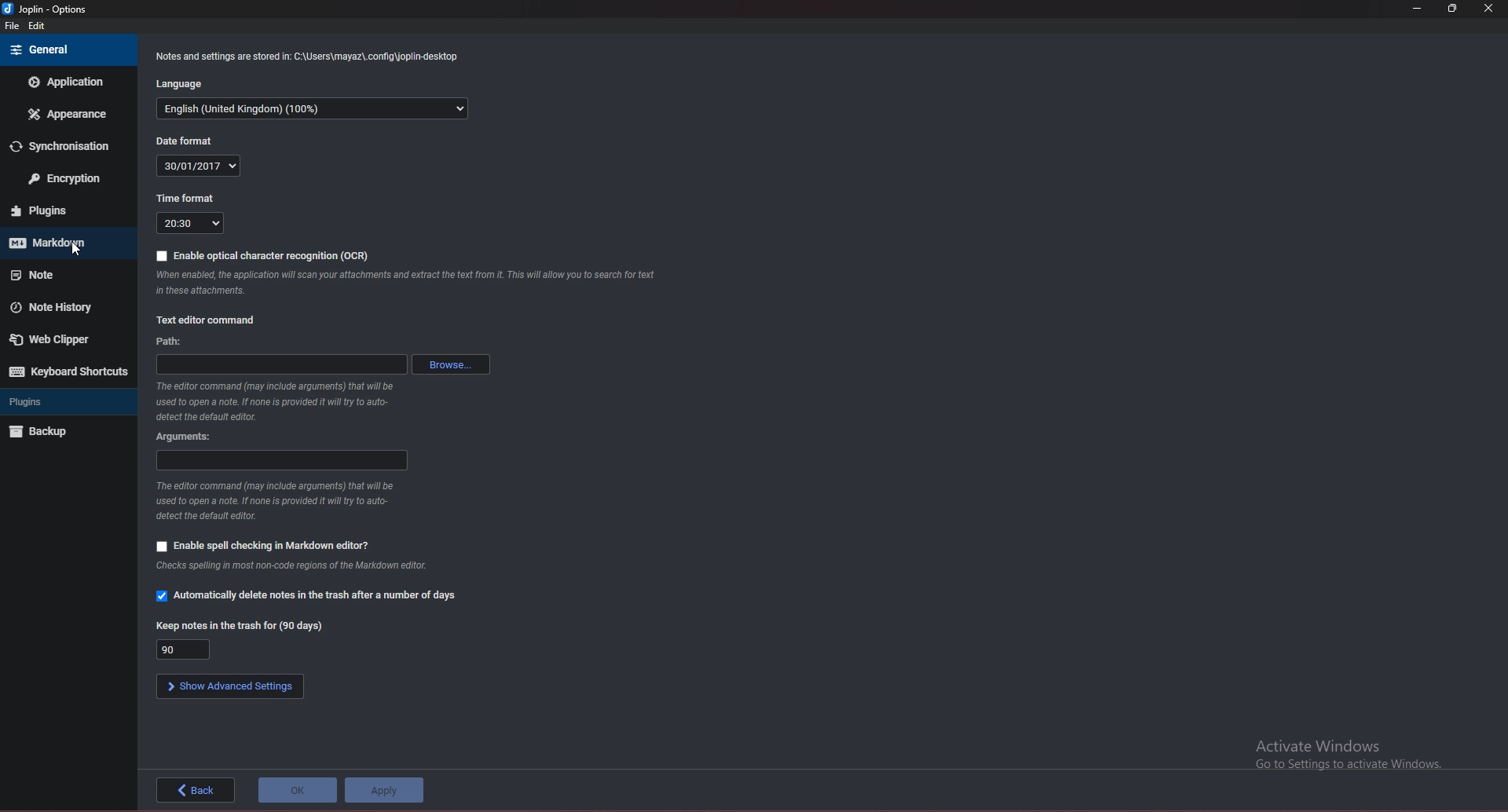 This screenshot has height=812, width=1508. I want to click on path, so click(173, 340).